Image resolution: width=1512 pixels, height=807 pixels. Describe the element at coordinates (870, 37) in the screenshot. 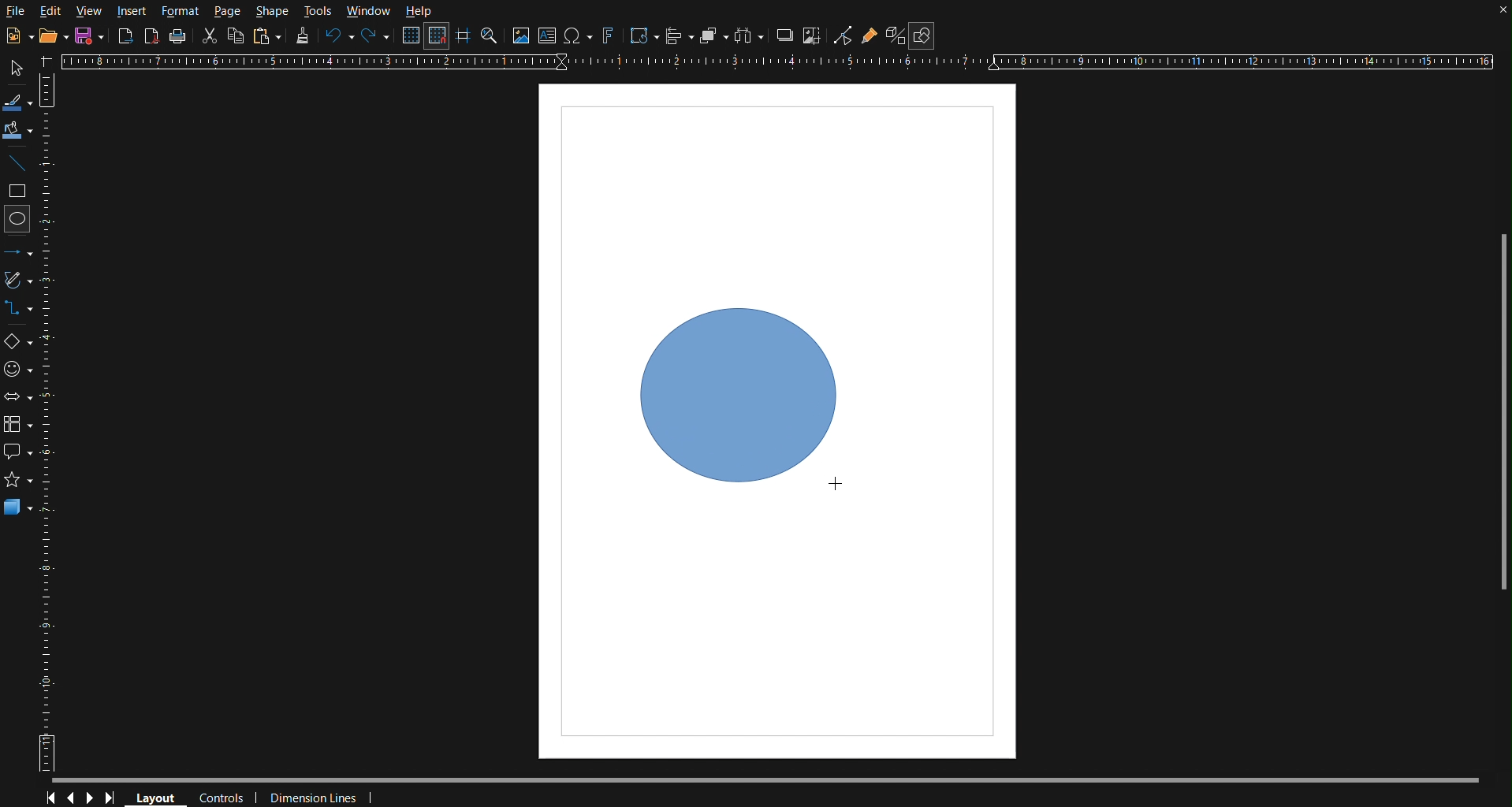

I see `Gluepoint Function` at that location.